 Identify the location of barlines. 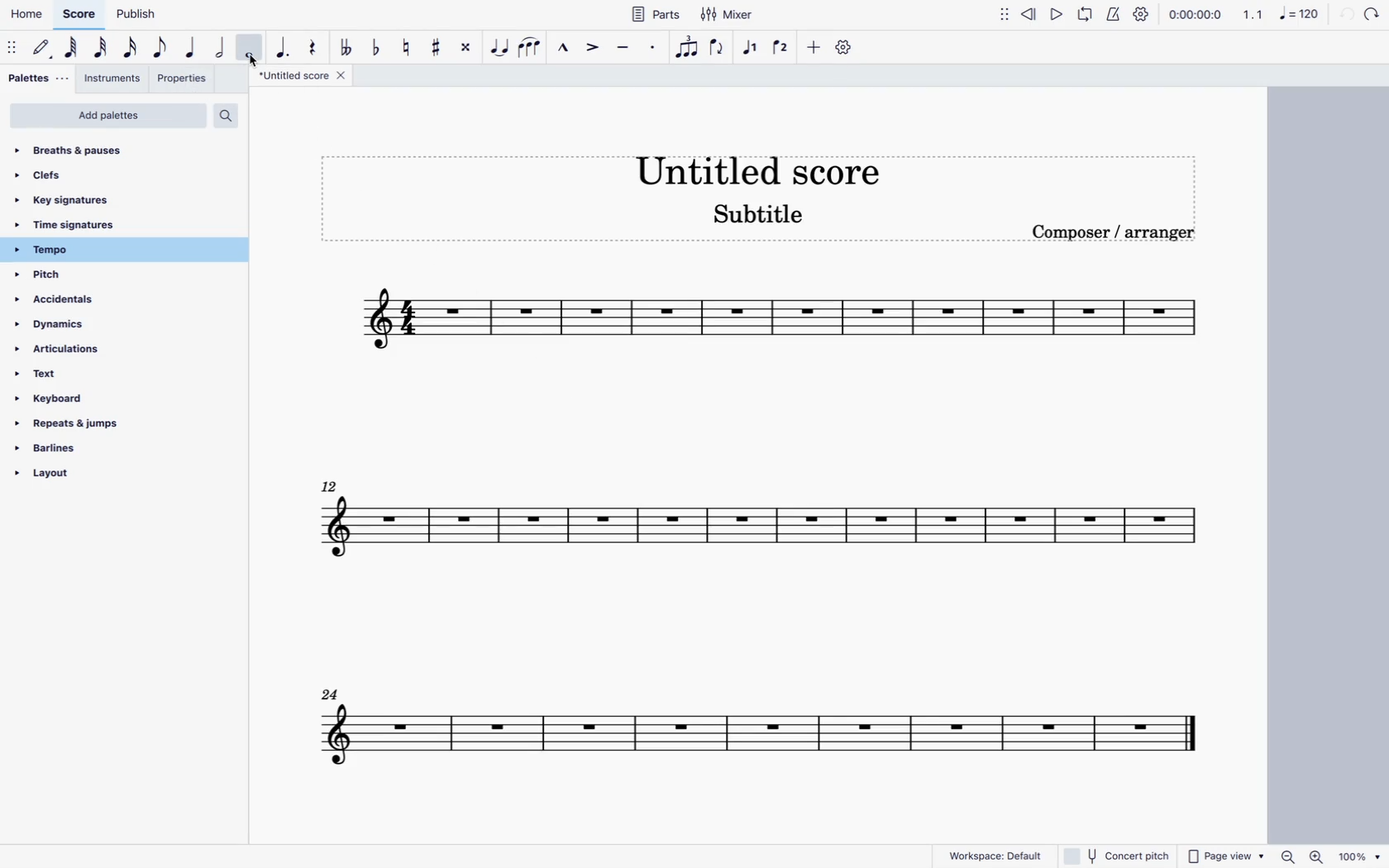
(93, 451).